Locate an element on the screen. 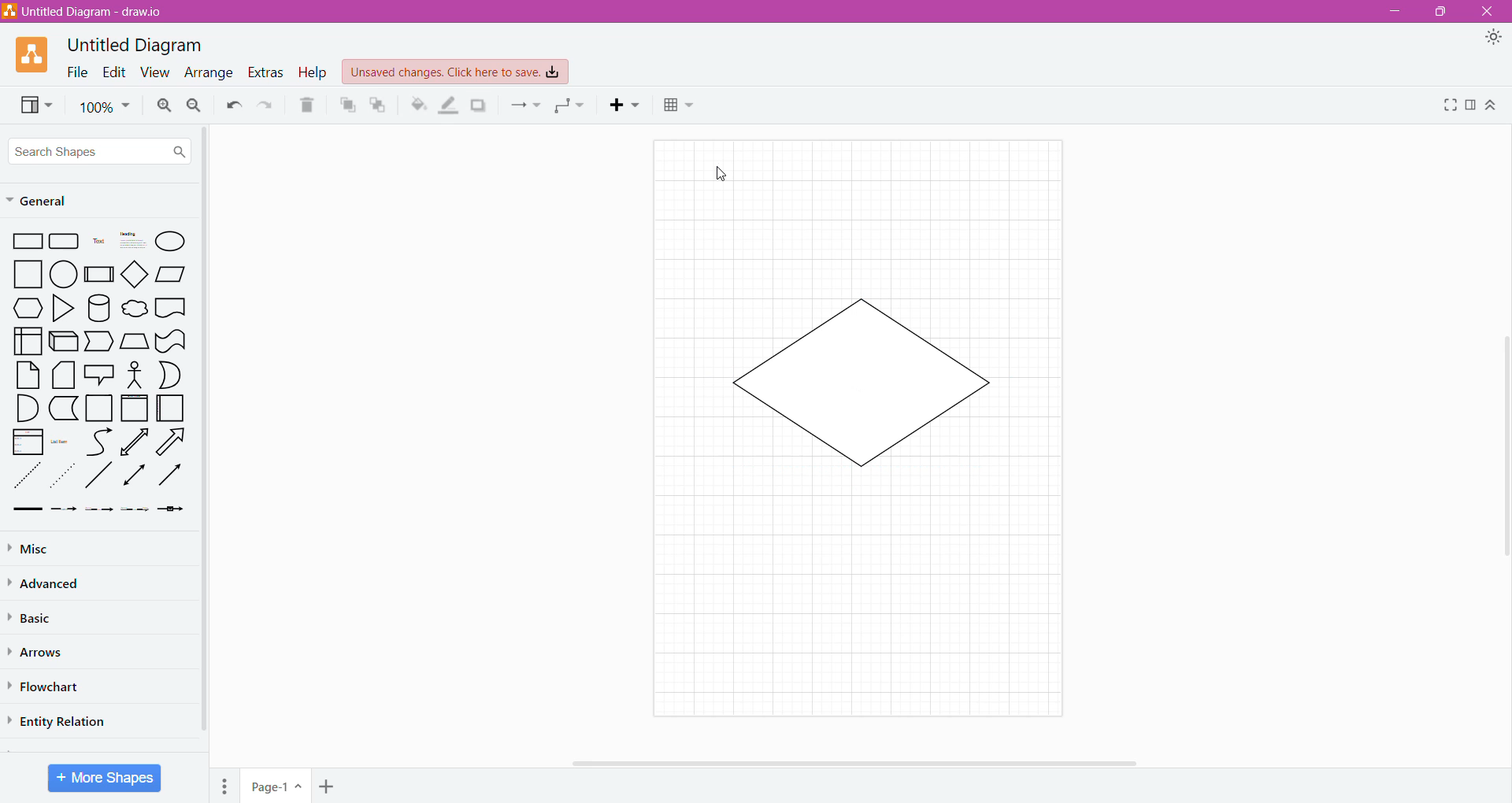 Image resolution: width=1512 pixels, height=803 pixels. Item List is located at coordinates (28, 442).